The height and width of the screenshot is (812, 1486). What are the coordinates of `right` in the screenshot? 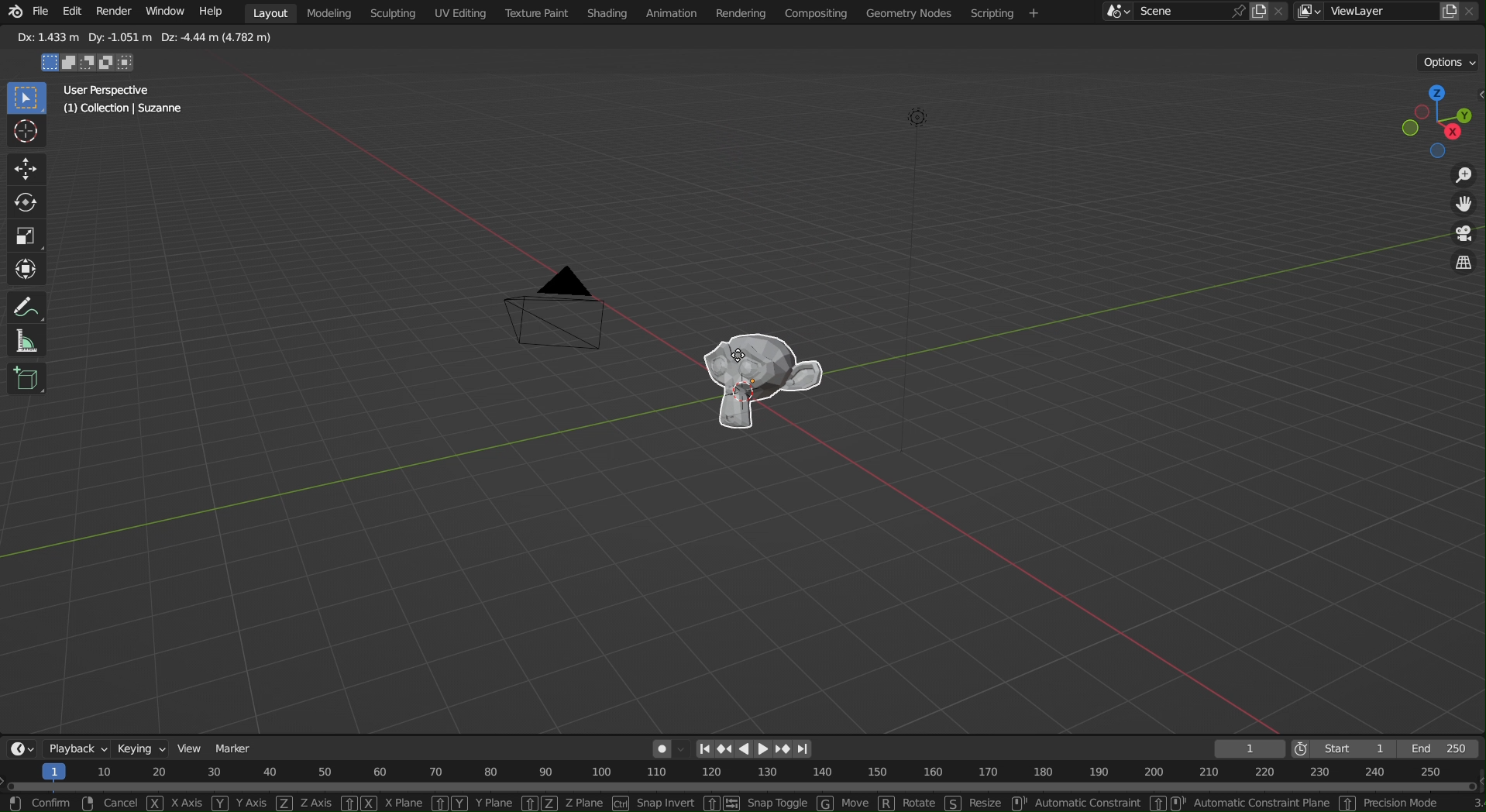 It's located at (765, 747).